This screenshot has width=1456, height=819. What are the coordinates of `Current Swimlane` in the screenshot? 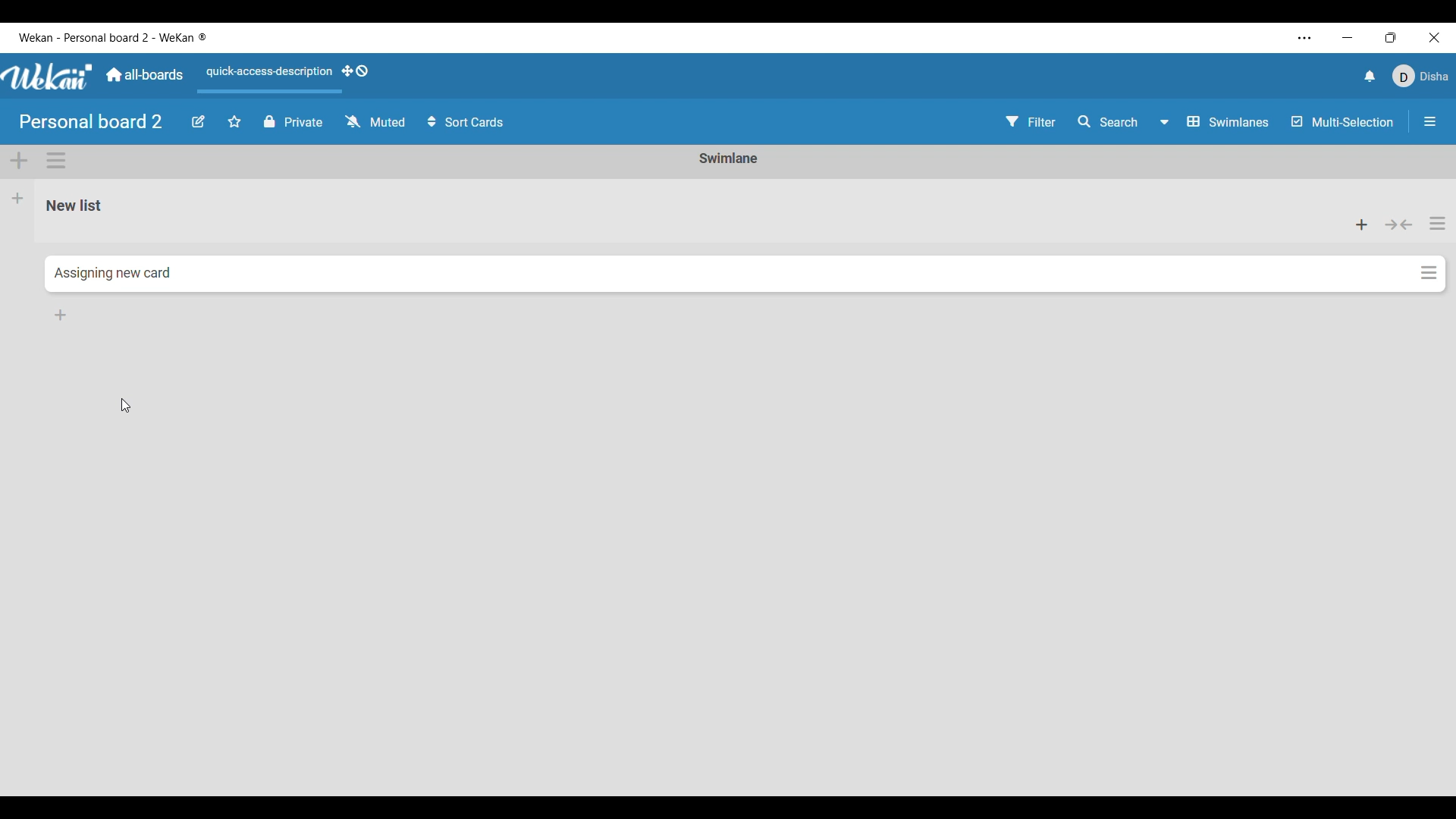 It's located at (729, 158).